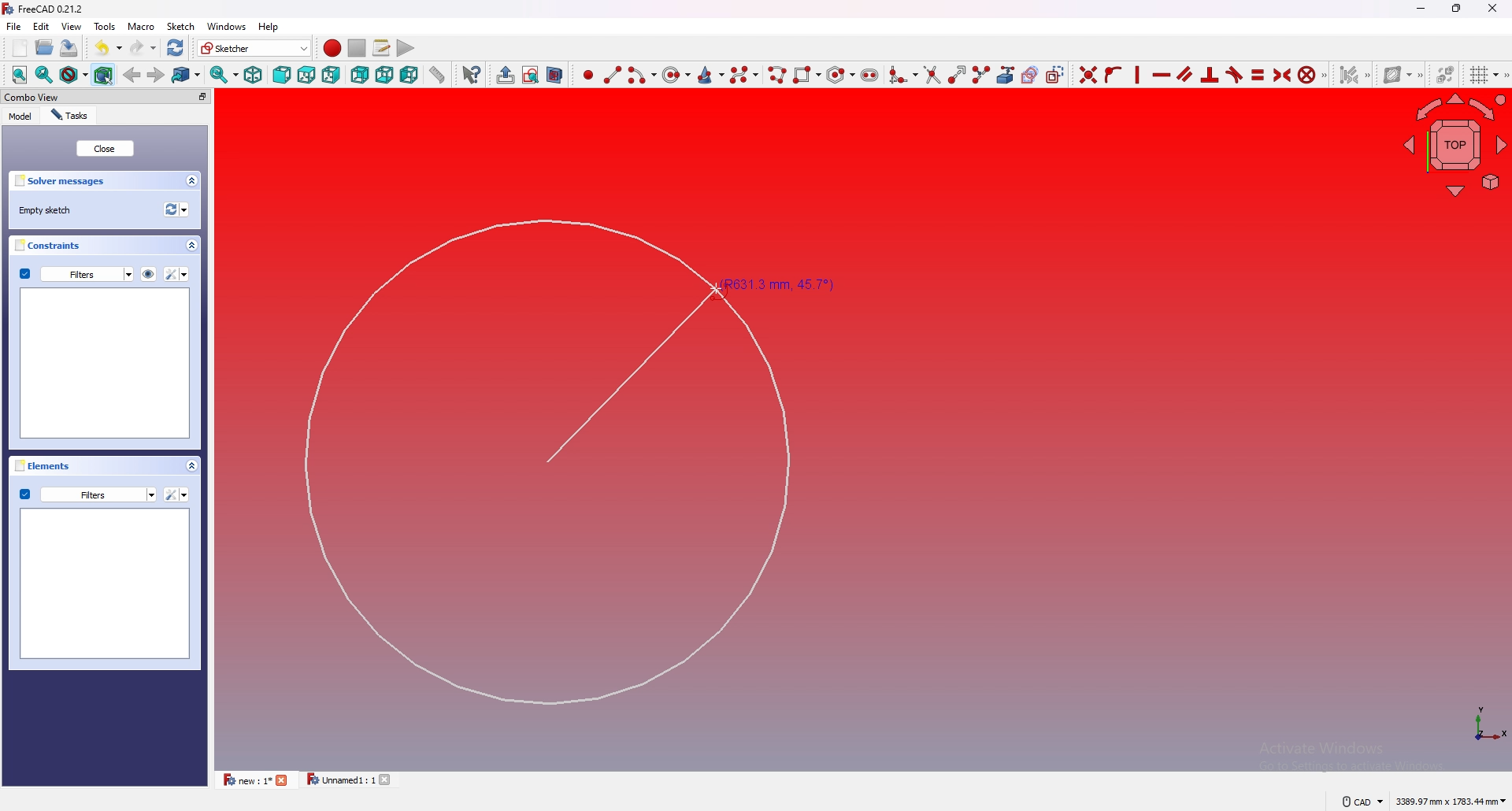 This screenshot has width=1512, height=811. I want to click on back, so click(133, 75).